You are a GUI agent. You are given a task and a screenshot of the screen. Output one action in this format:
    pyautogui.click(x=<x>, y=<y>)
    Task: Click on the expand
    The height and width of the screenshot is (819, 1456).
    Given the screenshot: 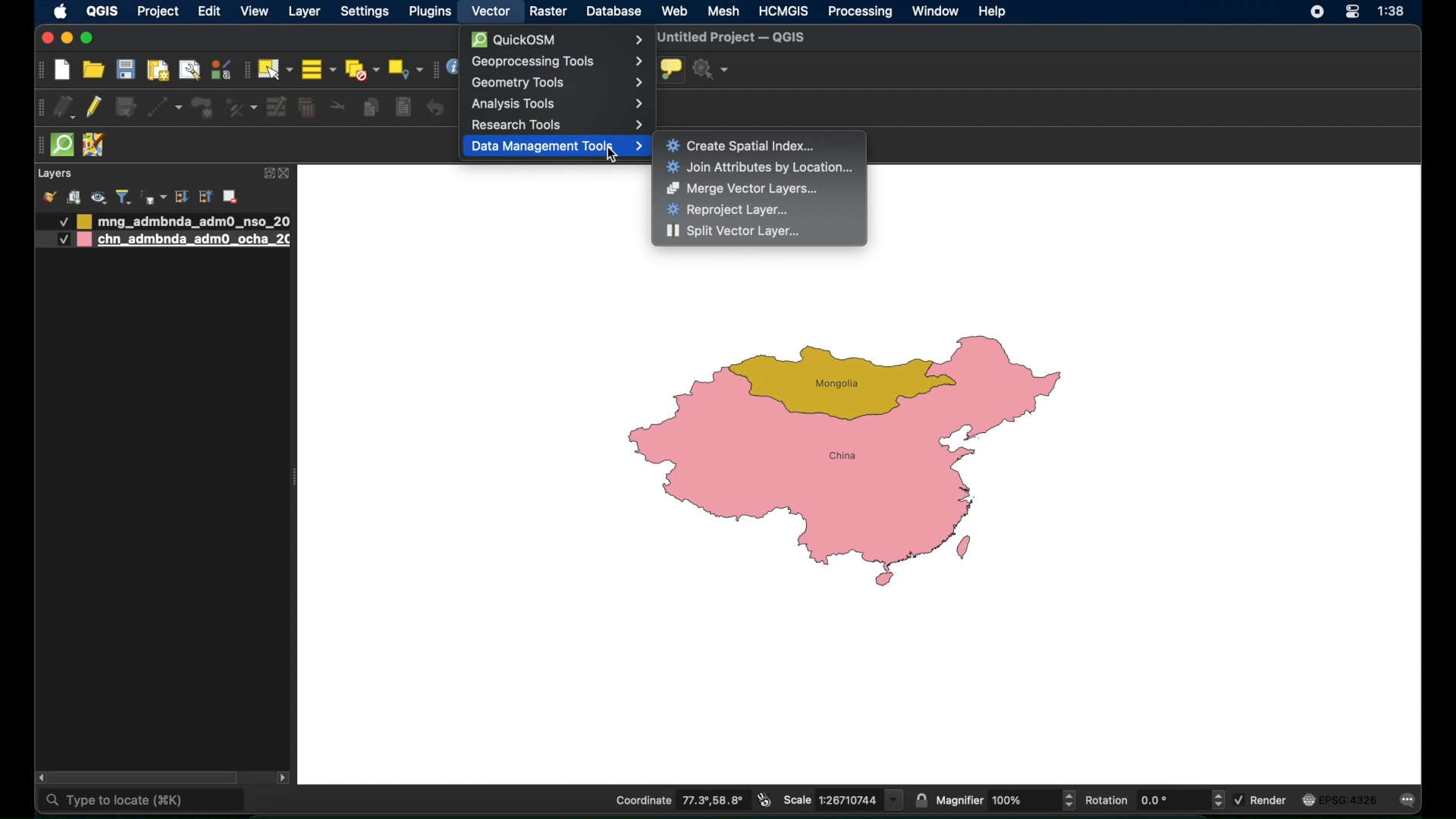 What is the action you would take?
    pyautogui.click(x=266, y=173)
    